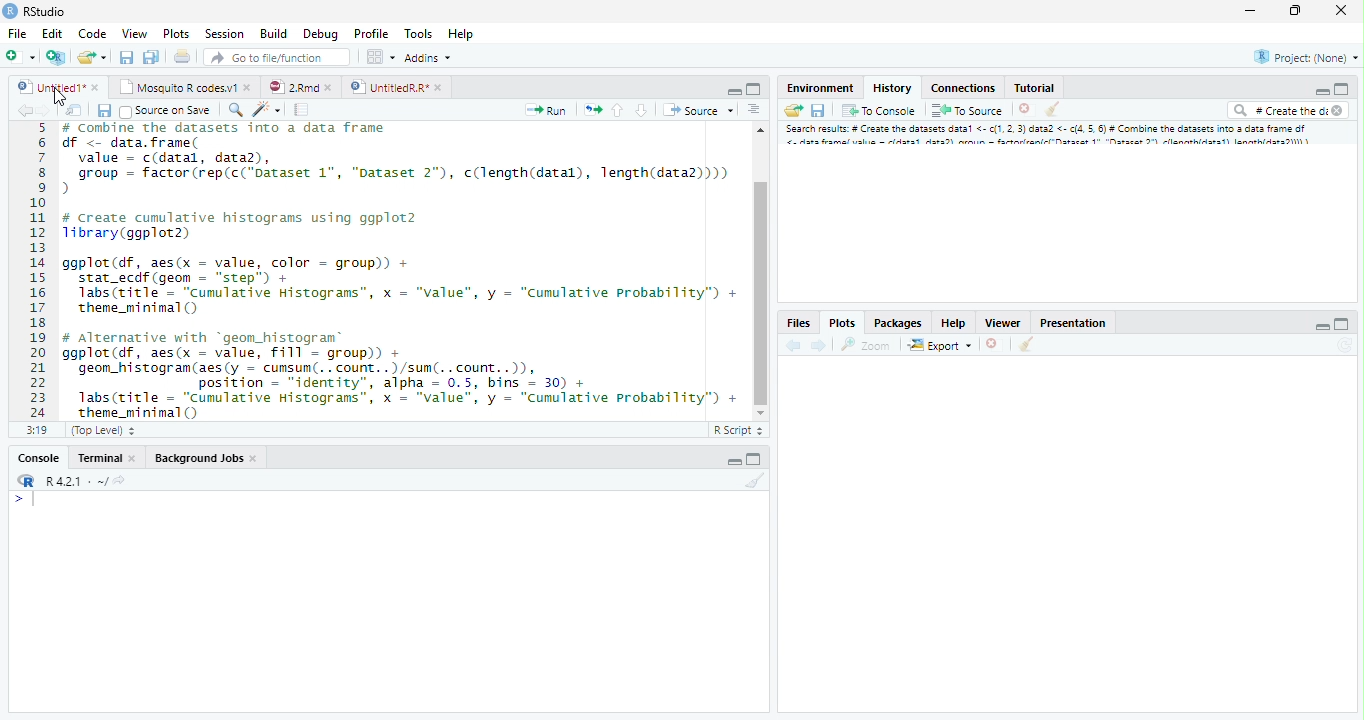 Image resolution: width=1364 pixels, height=720 pixels. I want to click on Delete, so click(1025, 109).